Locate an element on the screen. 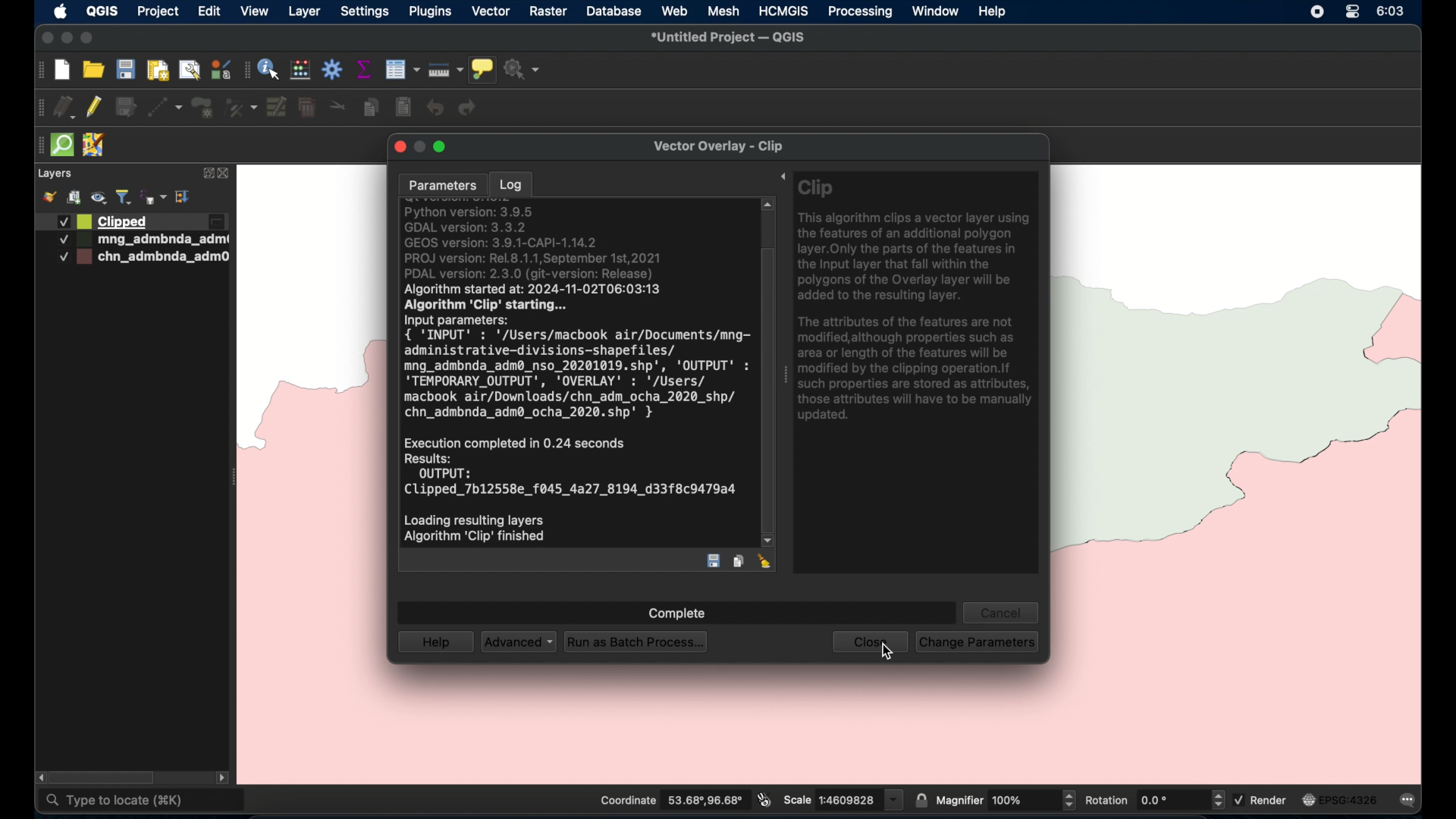  redo is located at coordinates (468, 108).